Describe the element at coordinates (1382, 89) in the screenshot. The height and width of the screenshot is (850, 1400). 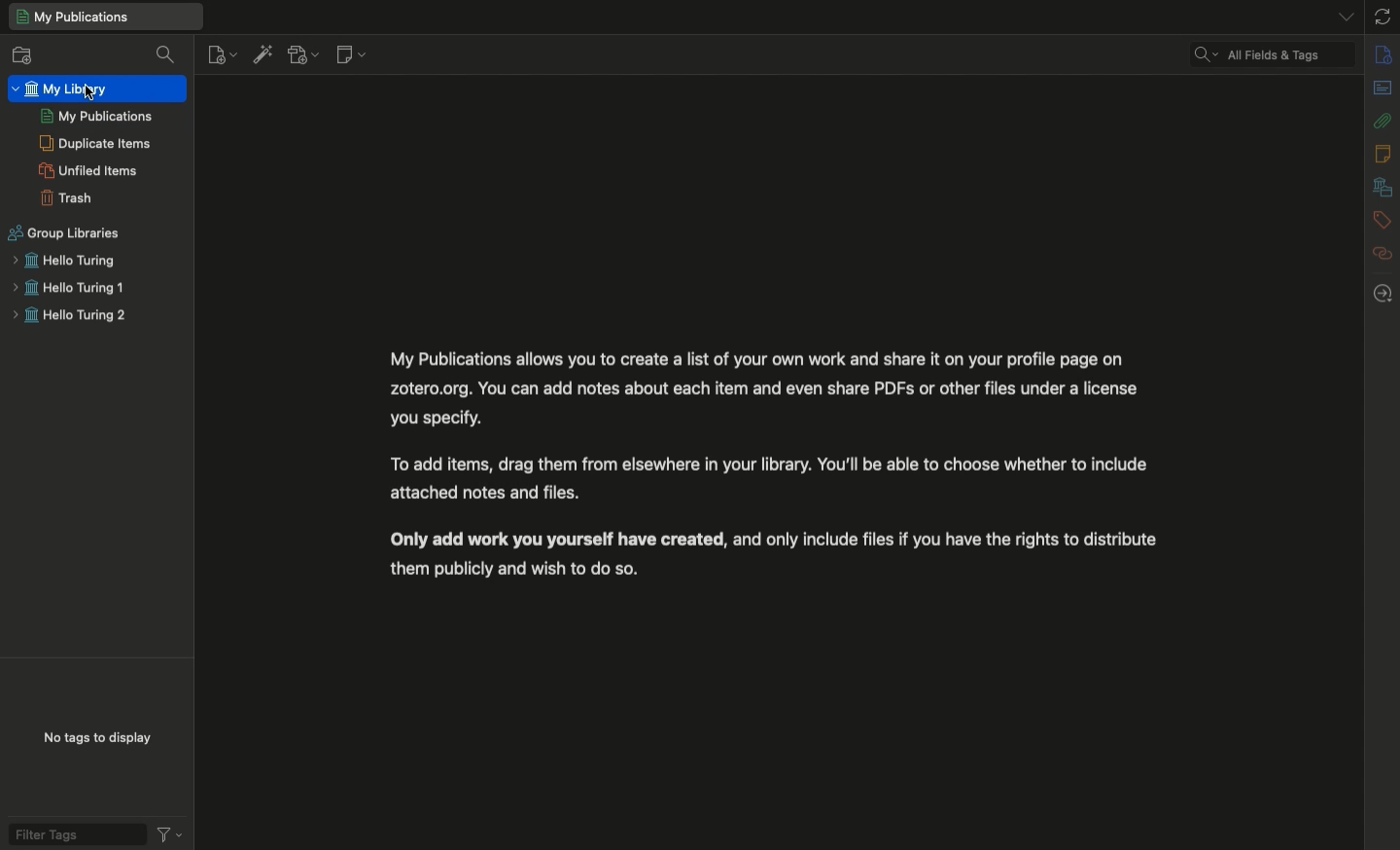
I see `Abstract` at that location.